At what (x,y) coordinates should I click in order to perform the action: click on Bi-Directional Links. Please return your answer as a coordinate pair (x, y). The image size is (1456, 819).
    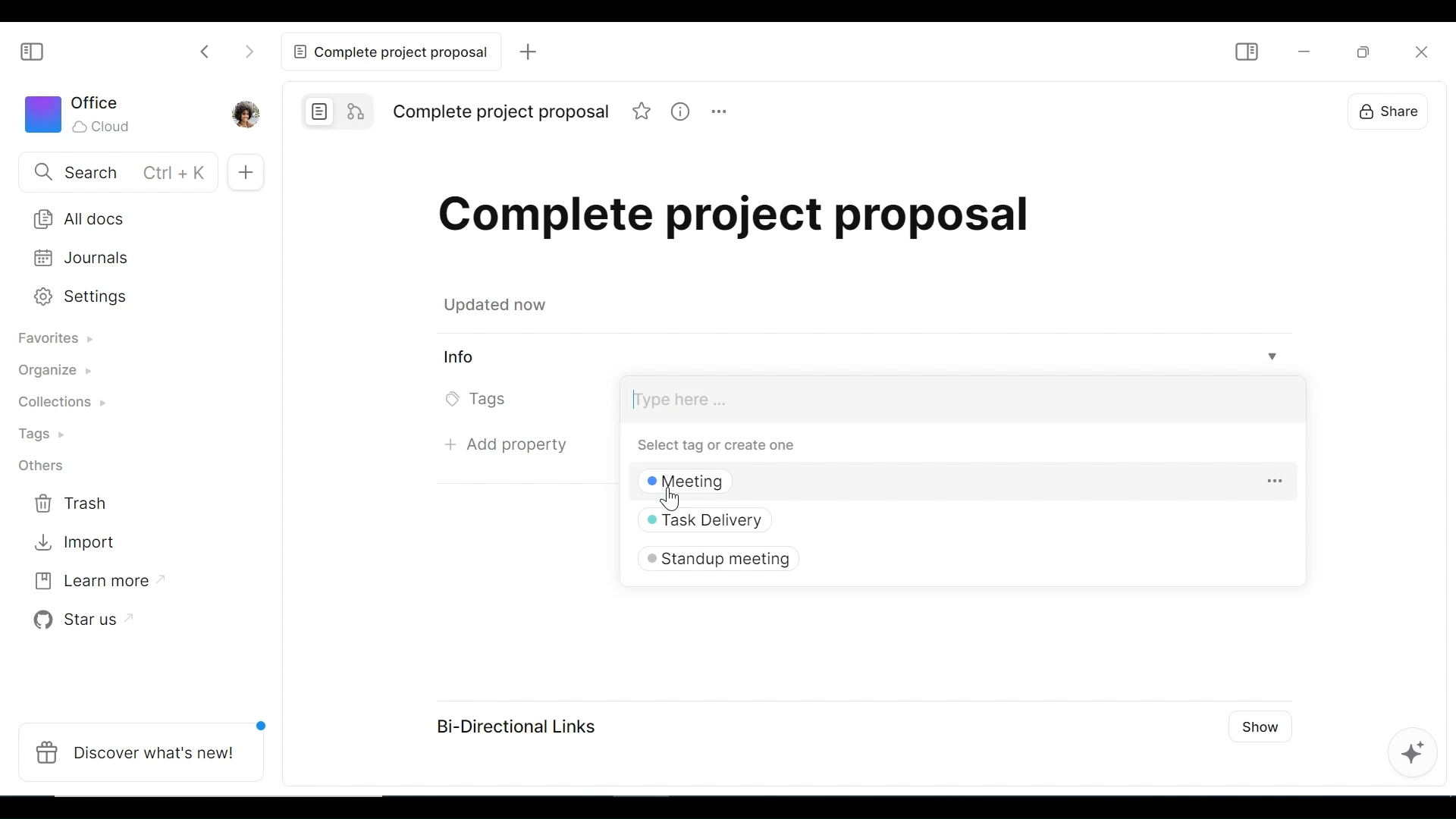
    Looking at the image, I should click on (509, 723).